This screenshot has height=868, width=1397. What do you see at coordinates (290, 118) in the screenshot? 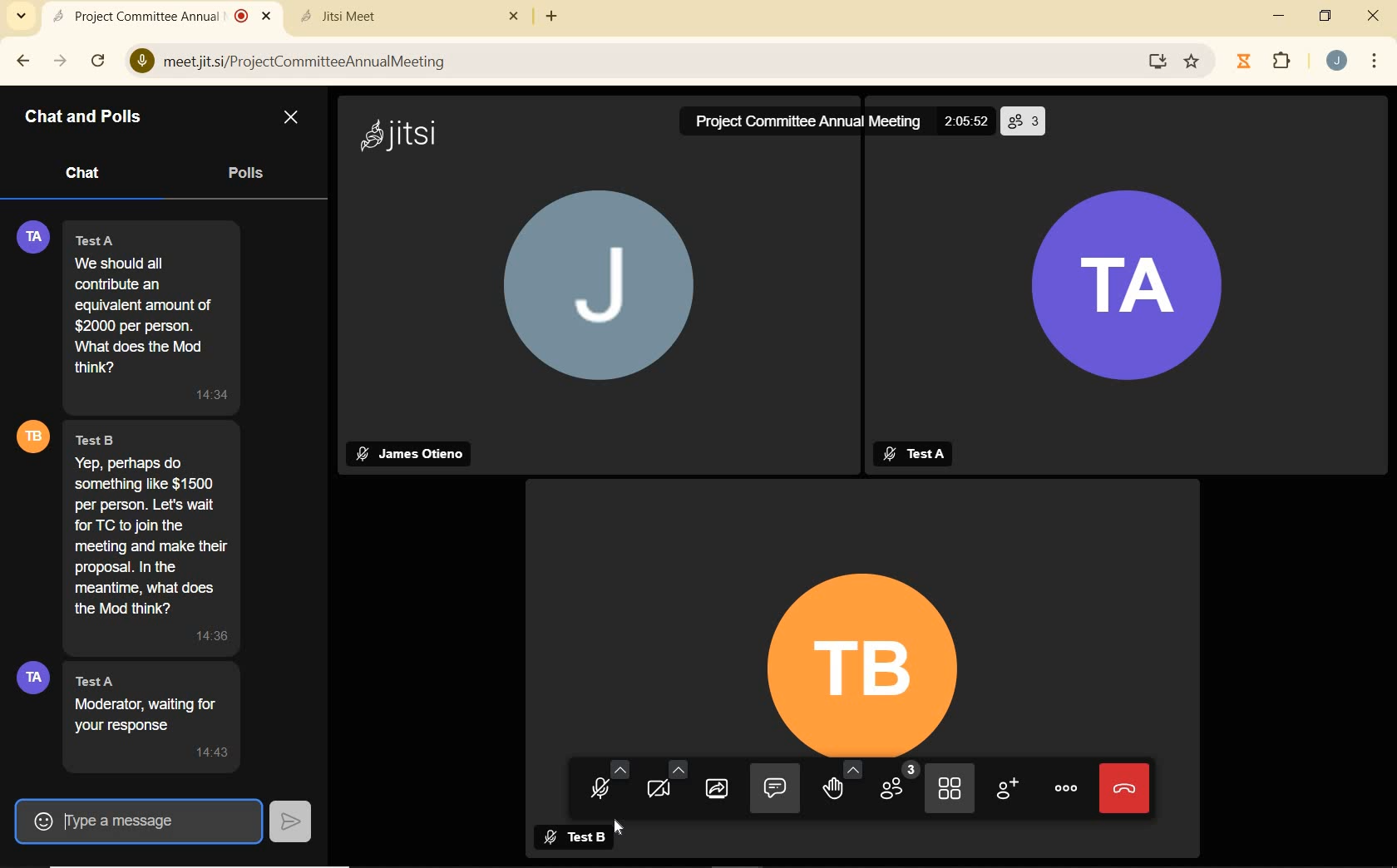
I see `close` at bounding box center [290, 118].